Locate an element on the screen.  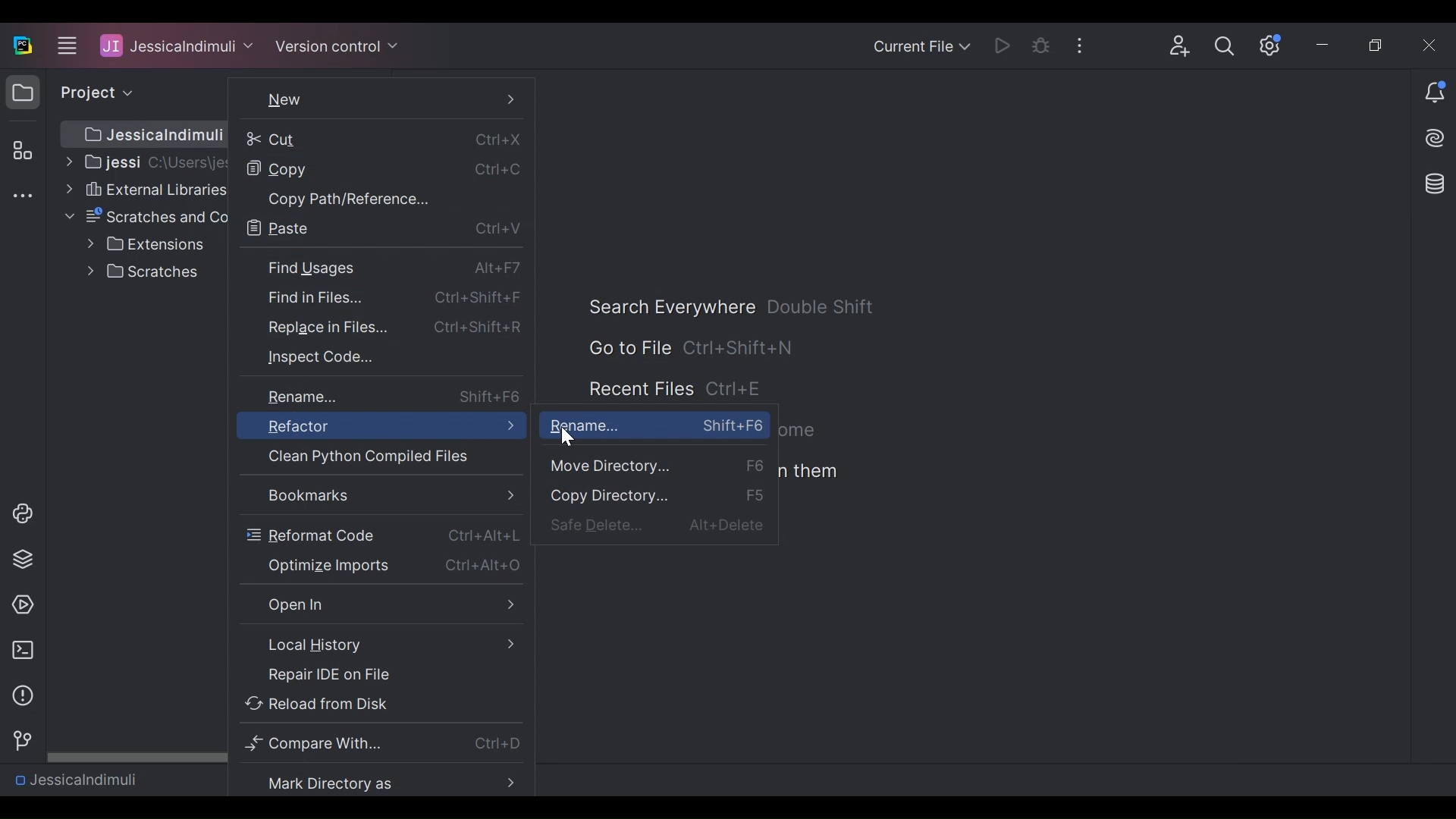
Main  menu is located at coordinates (64, 45).